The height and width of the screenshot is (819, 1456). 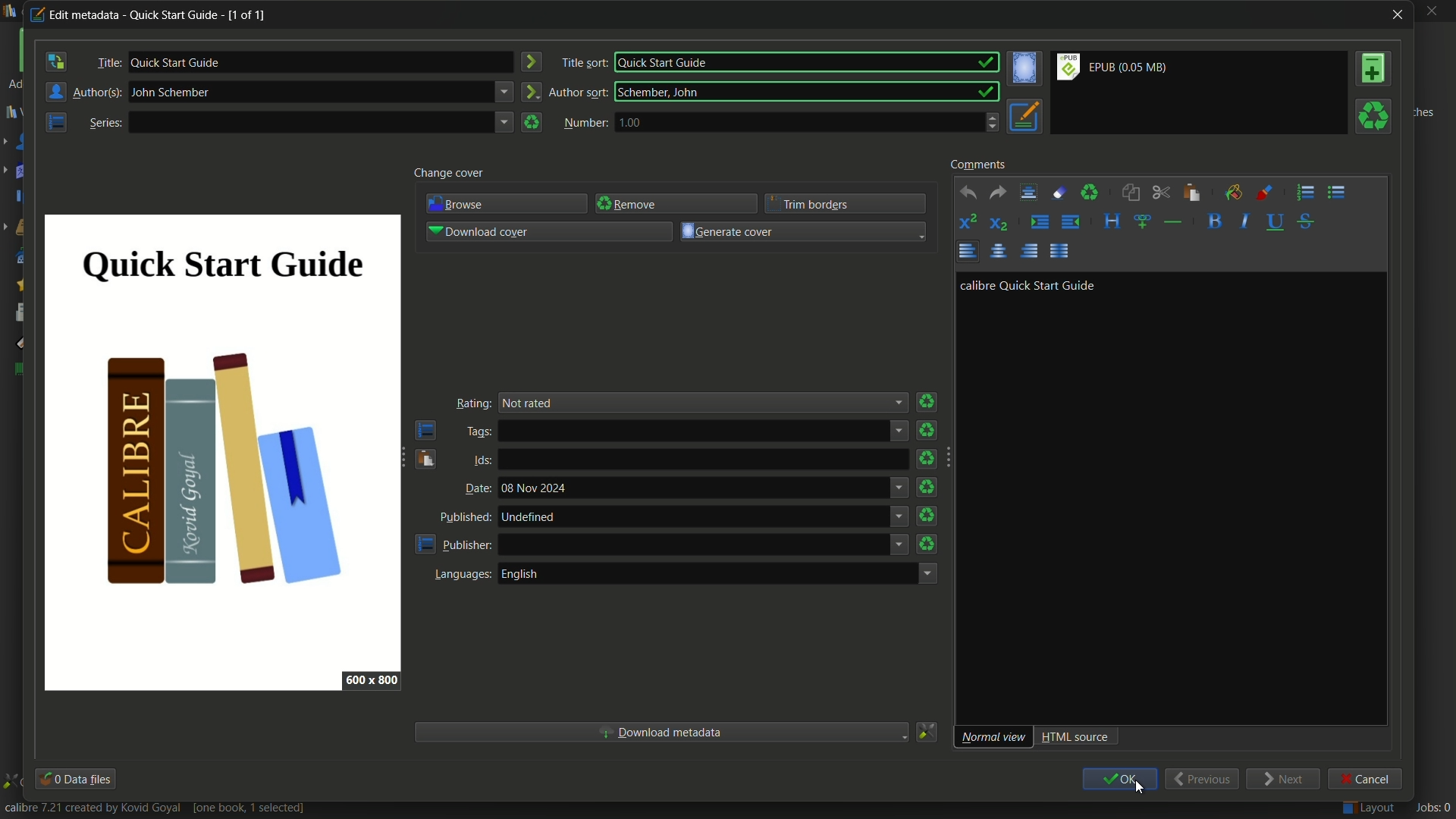 What do you see at coordinates (1061, 196) in the screenshot?
I see `remove` at bounding box center [1061, 196].